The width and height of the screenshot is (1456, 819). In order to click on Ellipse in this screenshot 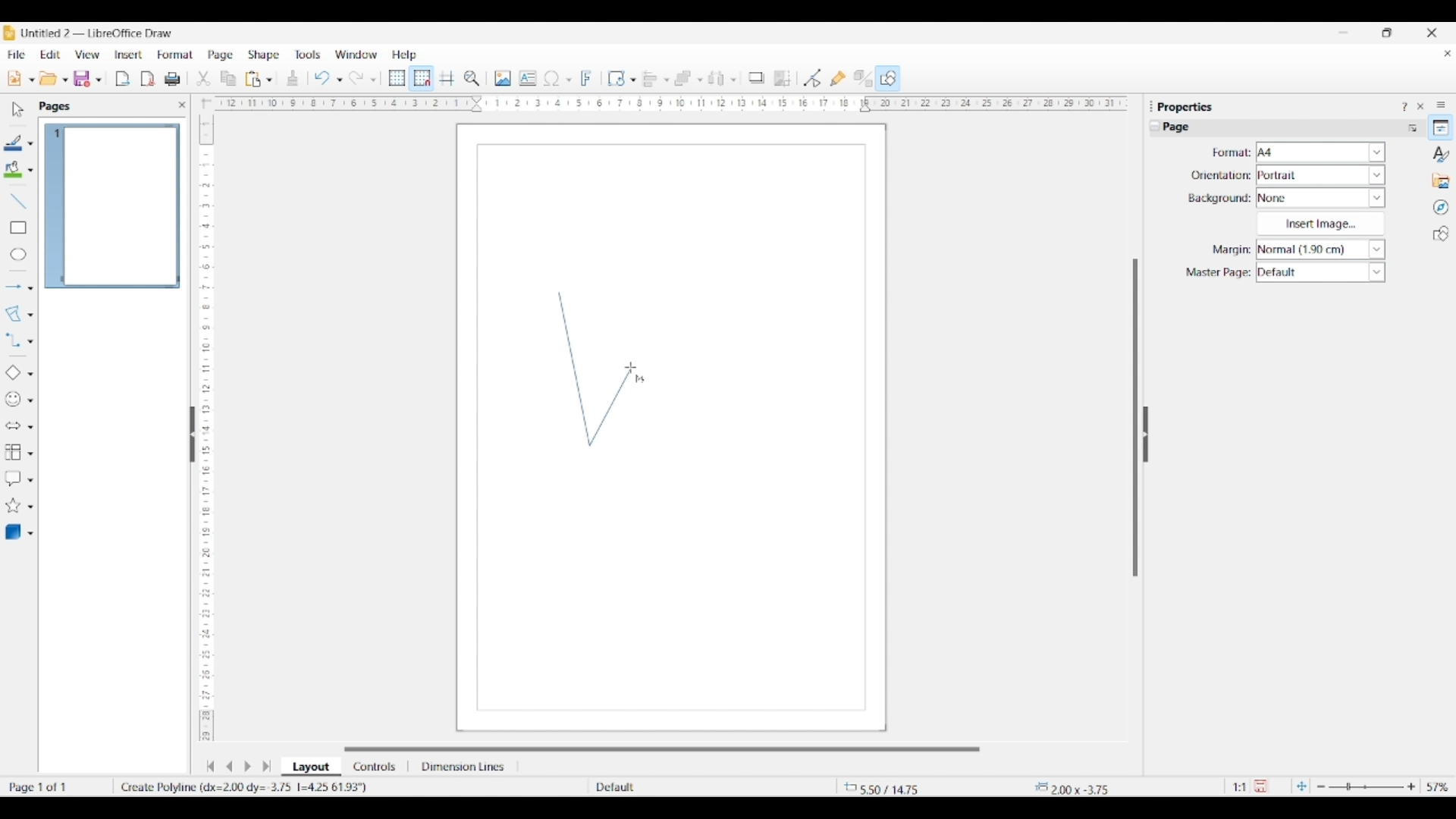, I will do `click(18, 254)`.